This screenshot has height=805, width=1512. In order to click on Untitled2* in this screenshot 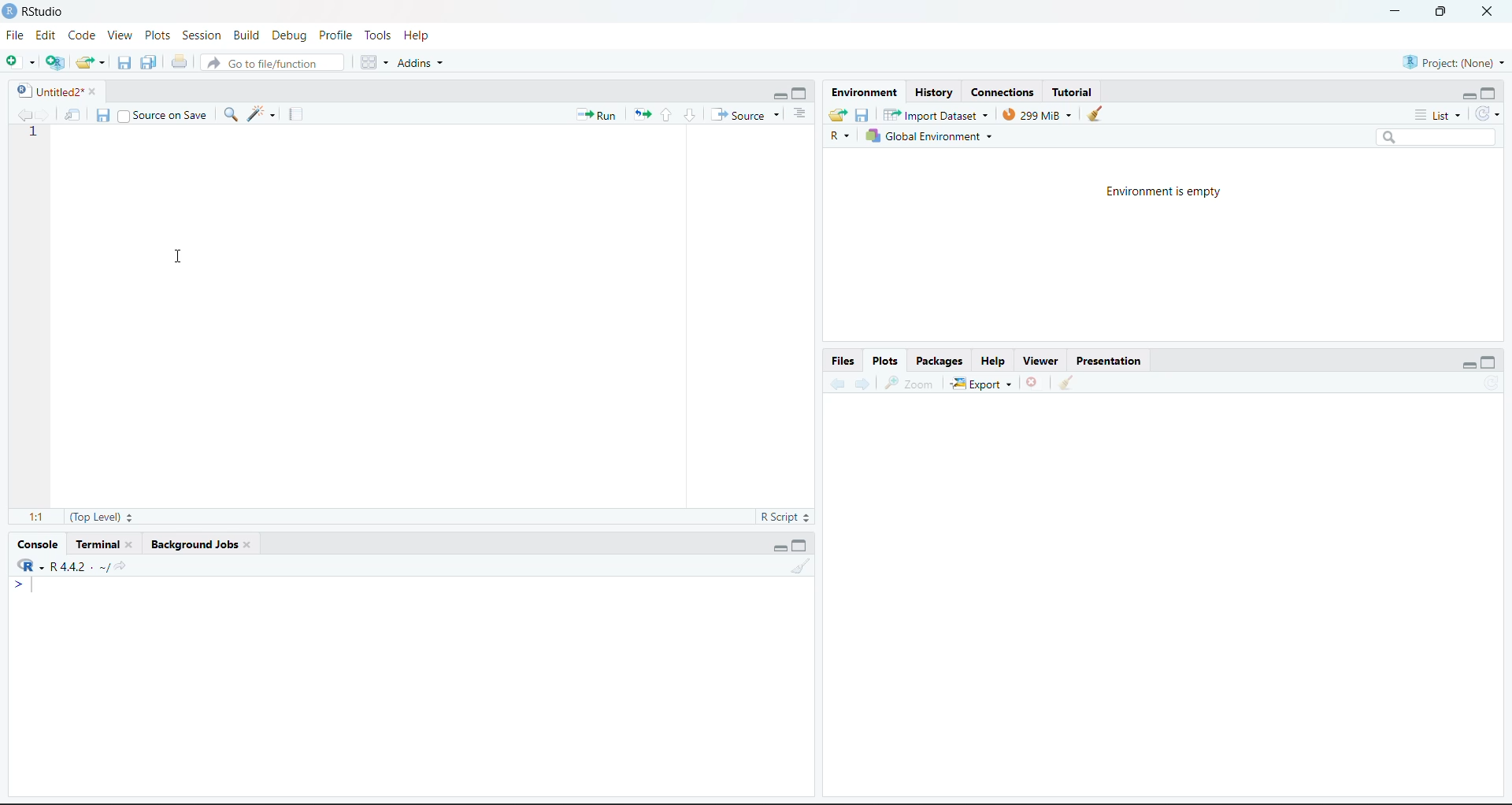, I will do `click(47, 92)`.